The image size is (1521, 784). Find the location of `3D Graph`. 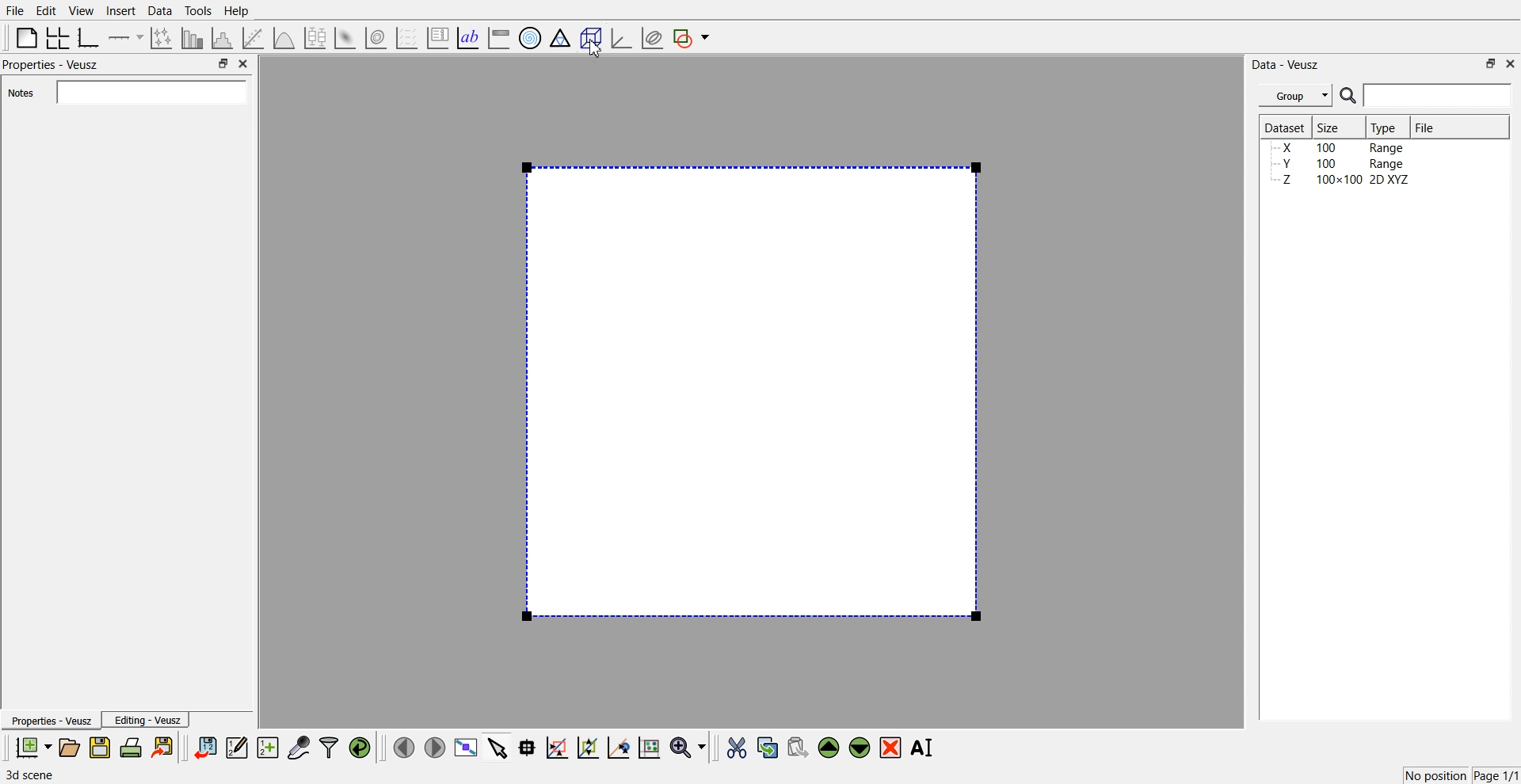

3D Graph is located at coordinates (621, 38).